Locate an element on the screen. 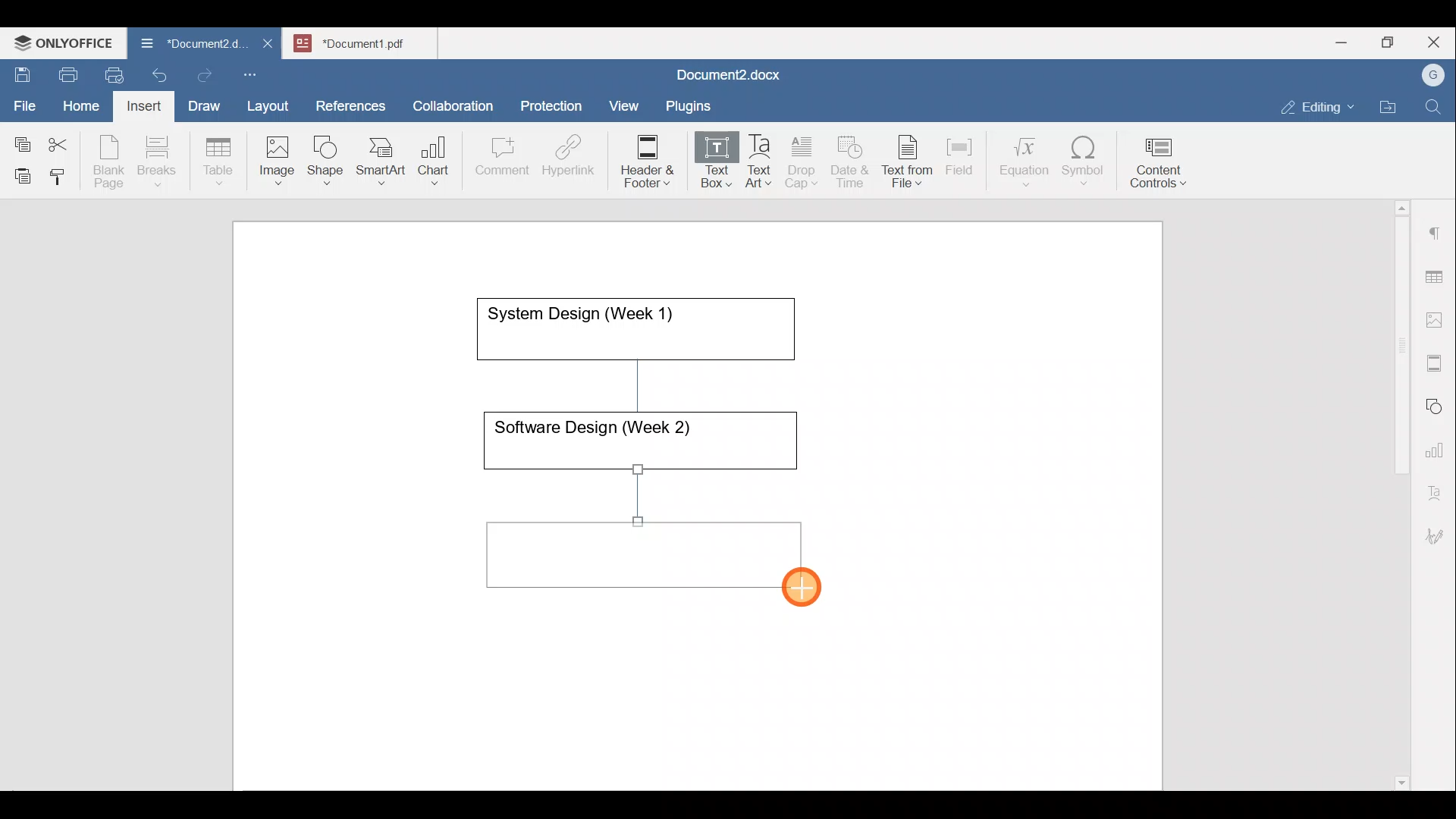 The image size is (1456, 819). Table is located at coordinates (219, 158).